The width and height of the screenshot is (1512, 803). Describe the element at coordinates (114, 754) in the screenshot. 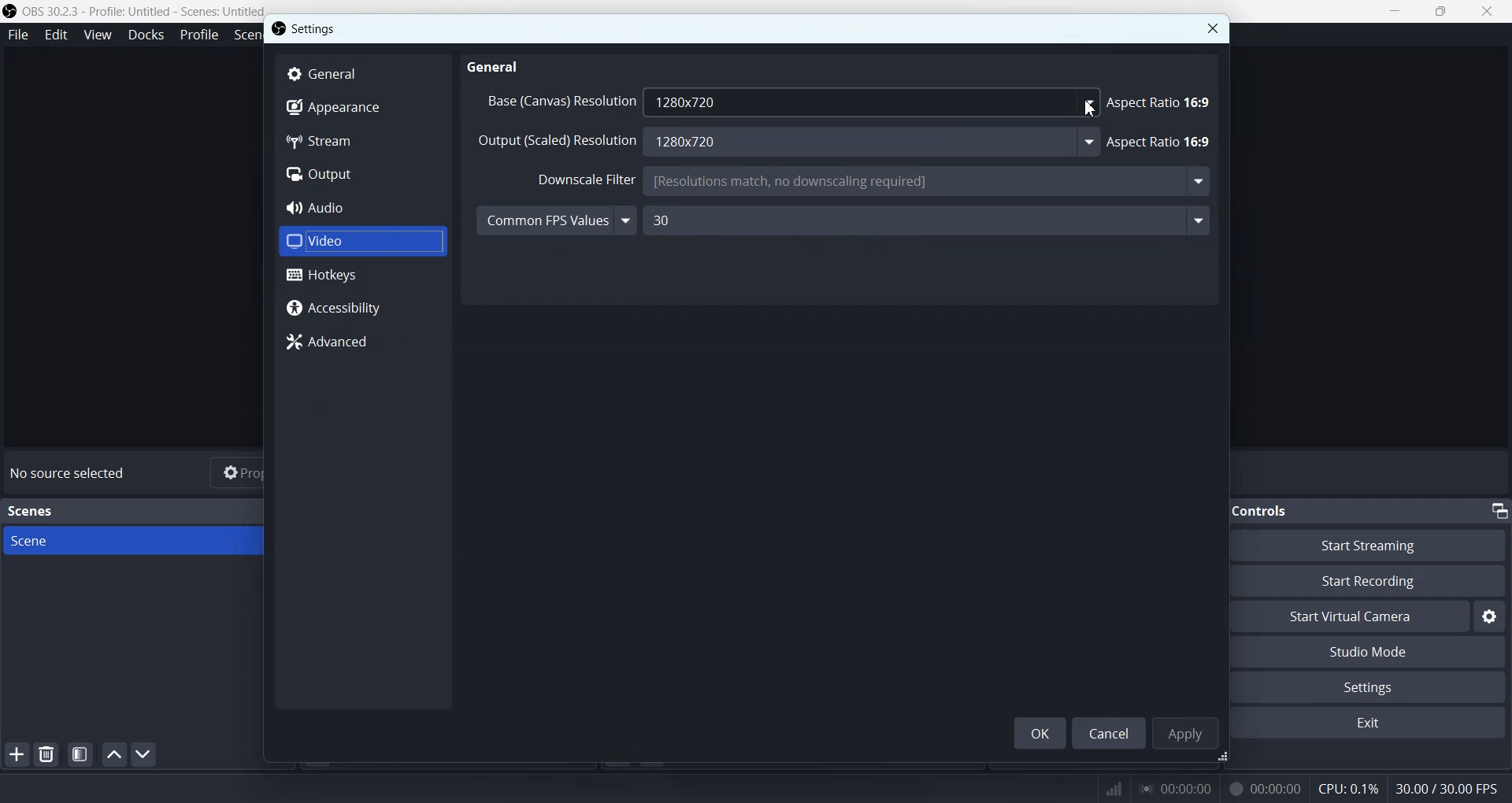

I see `Move scene up` at that location.